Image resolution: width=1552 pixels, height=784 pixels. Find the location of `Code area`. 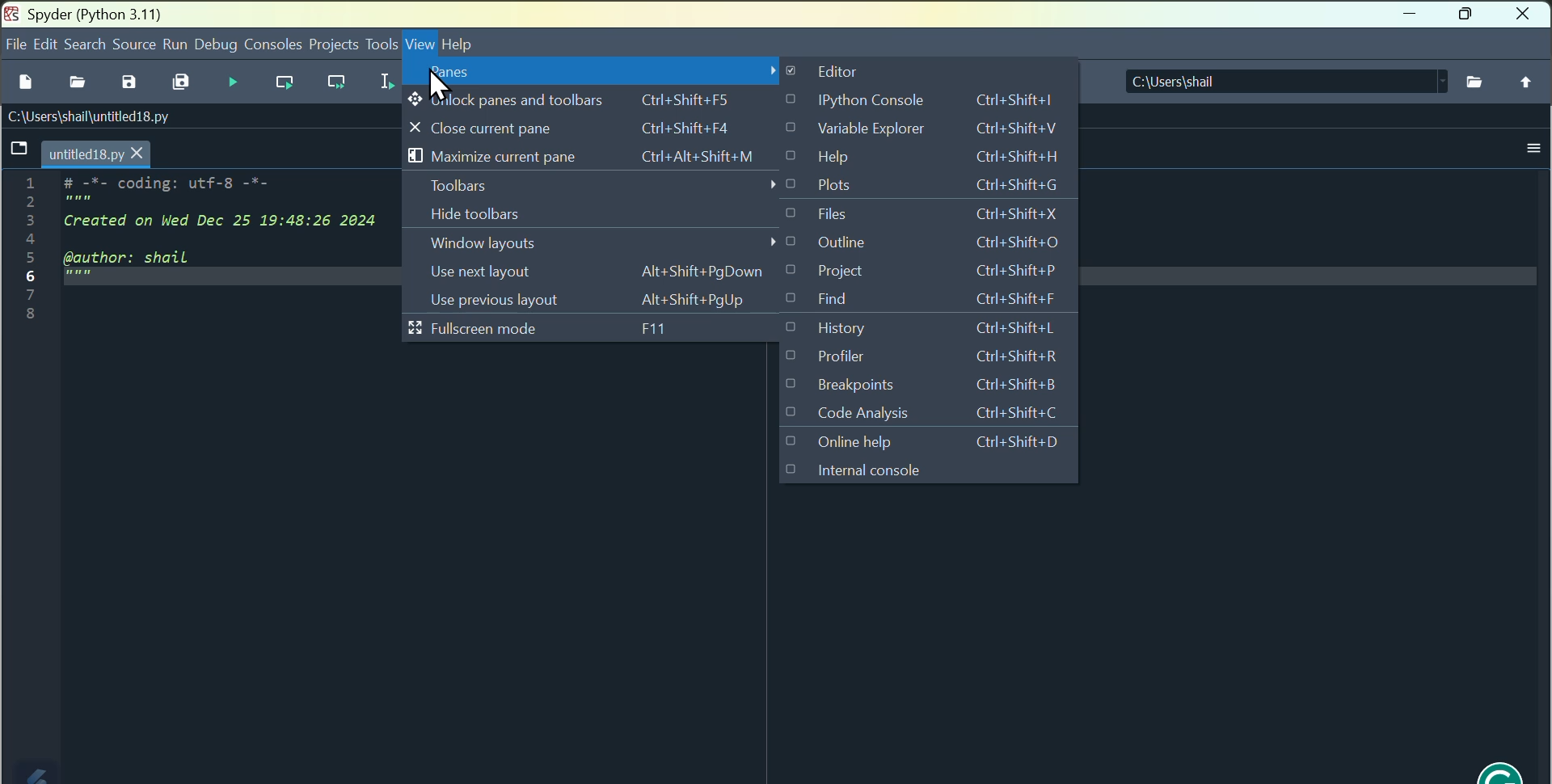

Code area is located at coordinates (221, 266).